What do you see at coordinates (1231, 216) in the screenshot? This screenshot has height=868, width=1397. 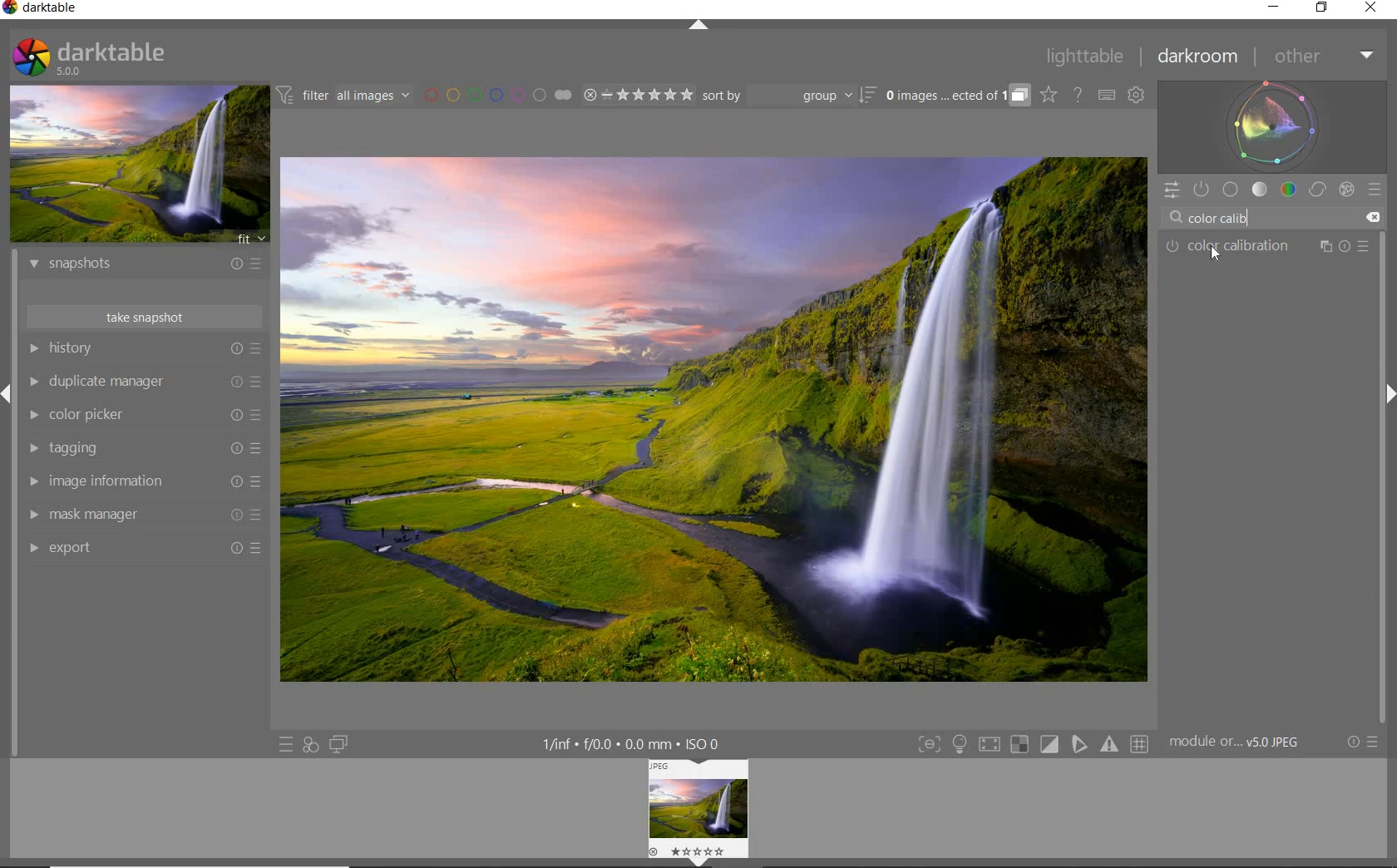 I see `INPUT VALUE` at bounding box center [1231, 216].